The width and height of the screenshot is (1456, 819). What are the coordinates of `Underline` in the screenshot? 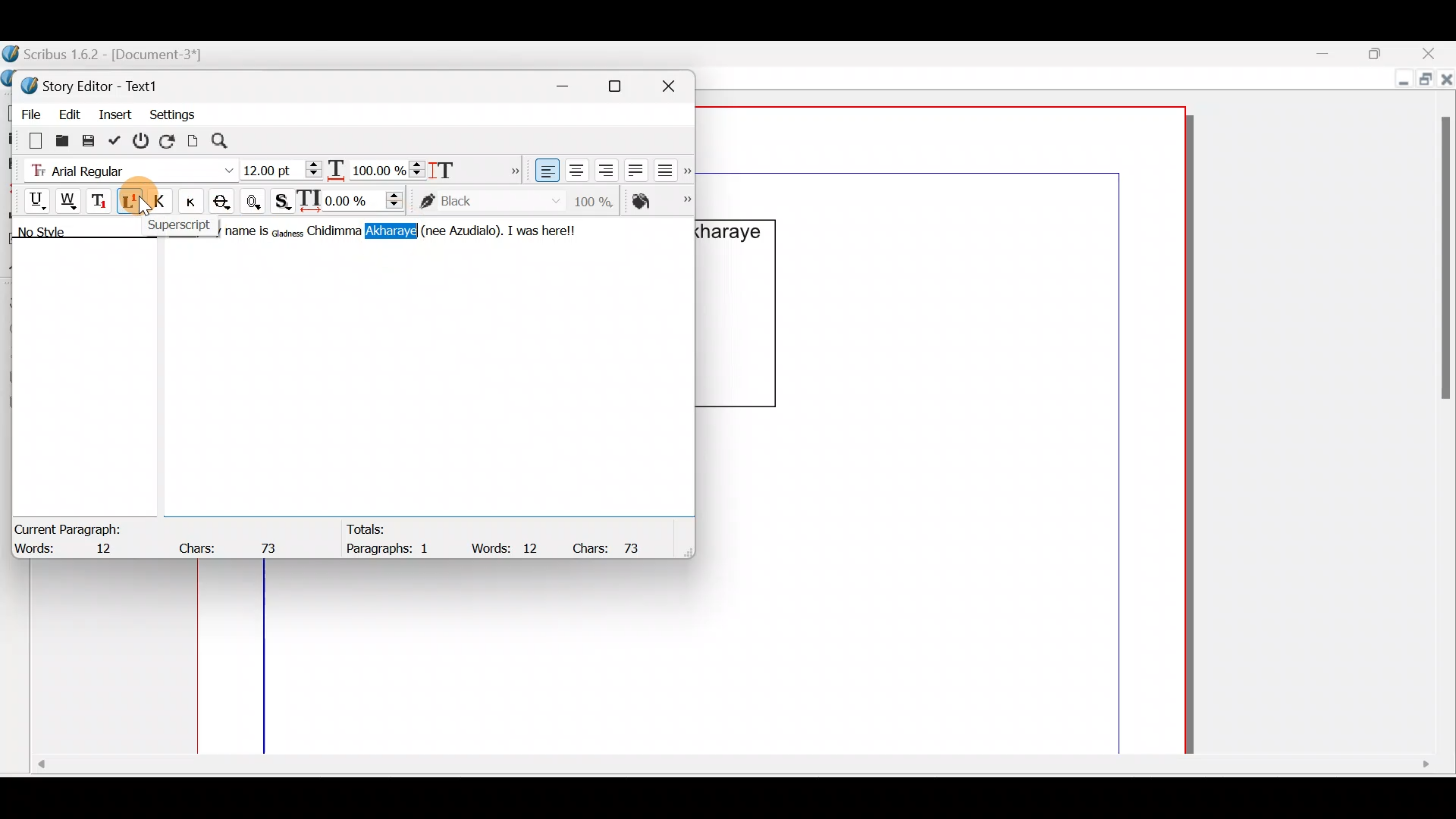 It's located at (30, 199).